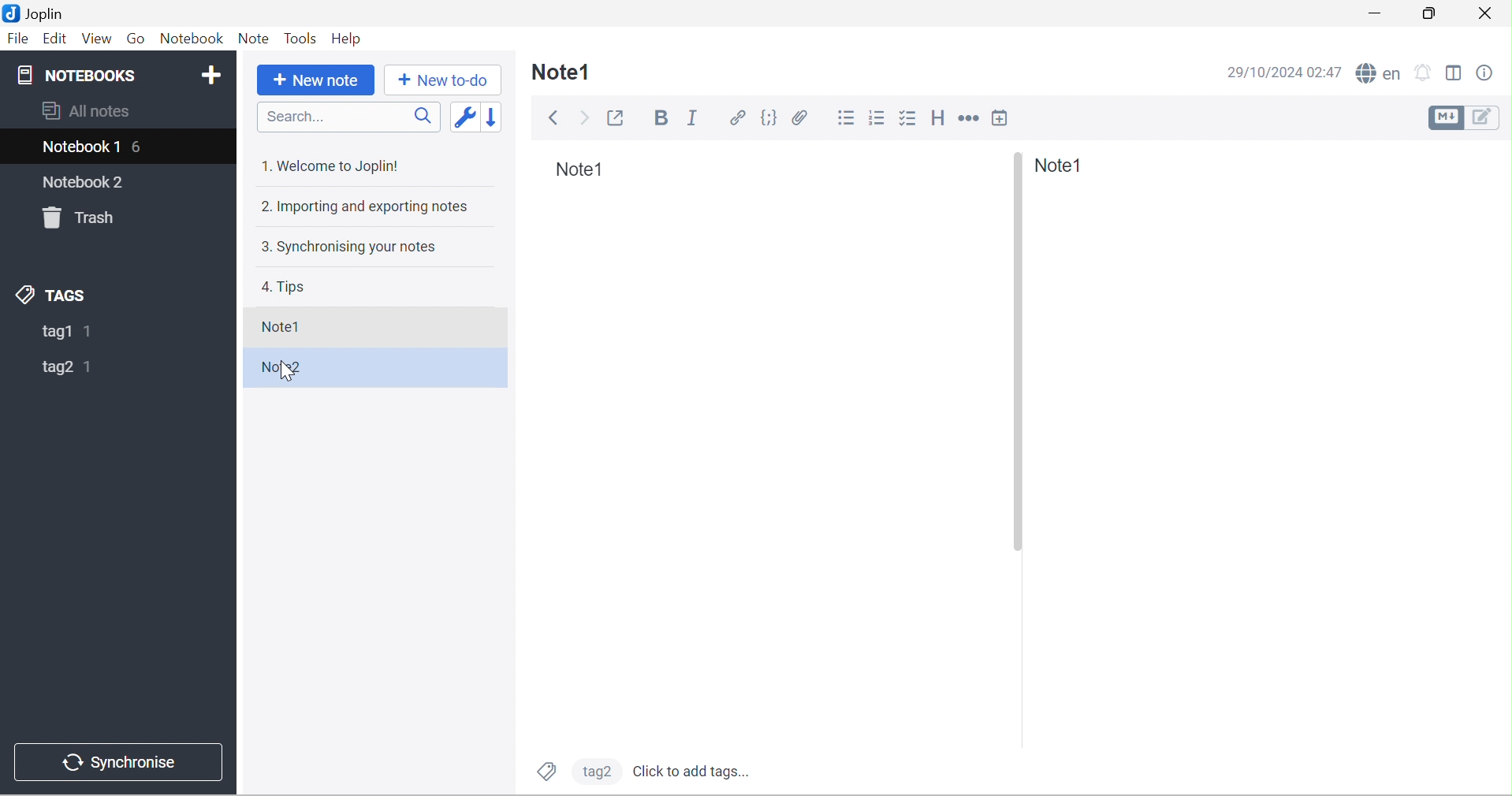 The height and width of the screenshot is (796, 1512). I want to click on Search..., so click(298, 118).